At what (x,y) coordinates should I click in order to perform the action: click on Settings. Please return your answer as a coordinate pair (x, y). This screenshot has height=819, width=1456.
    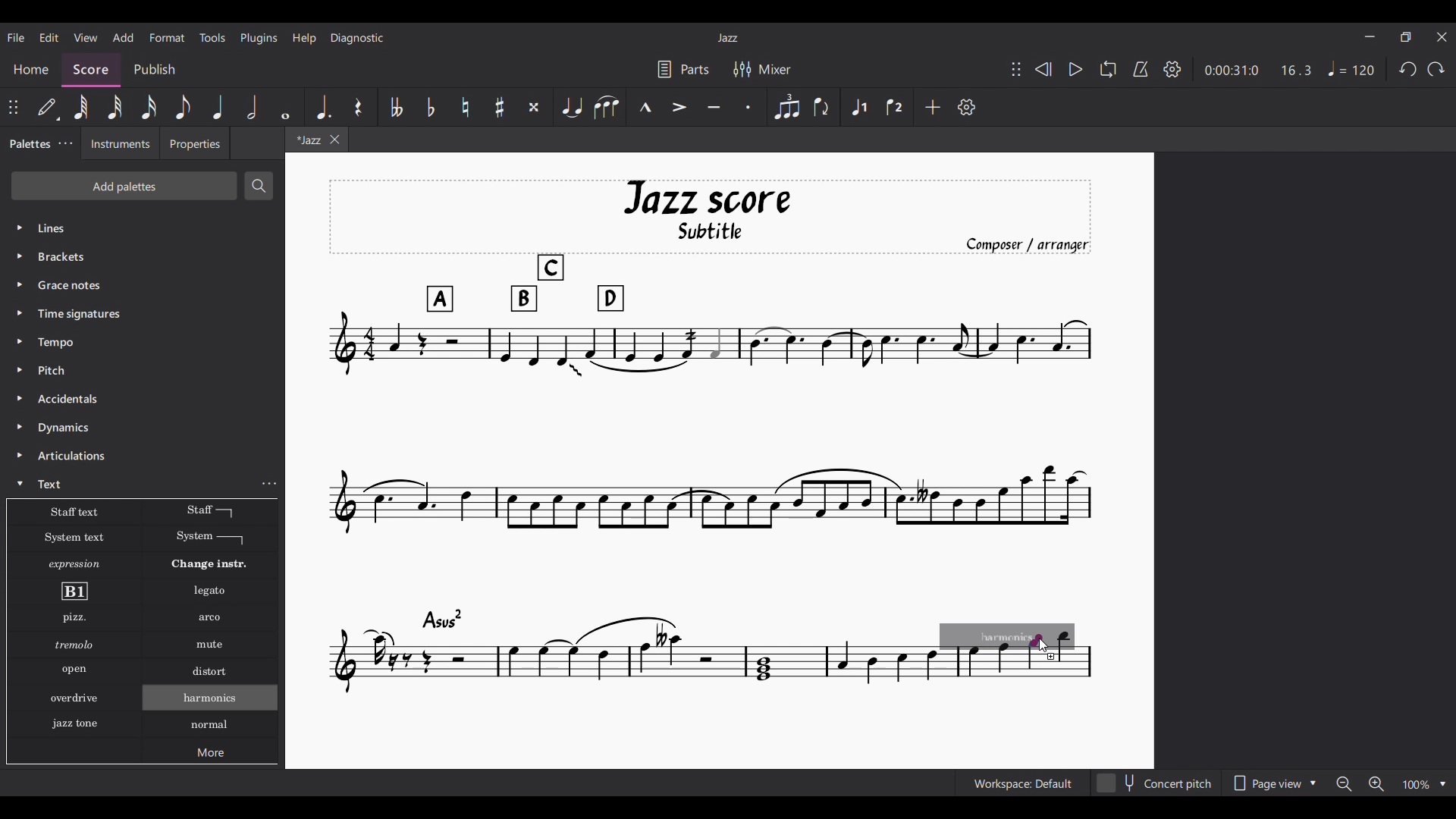
    Looking at the image, I should click on (1172, 70).